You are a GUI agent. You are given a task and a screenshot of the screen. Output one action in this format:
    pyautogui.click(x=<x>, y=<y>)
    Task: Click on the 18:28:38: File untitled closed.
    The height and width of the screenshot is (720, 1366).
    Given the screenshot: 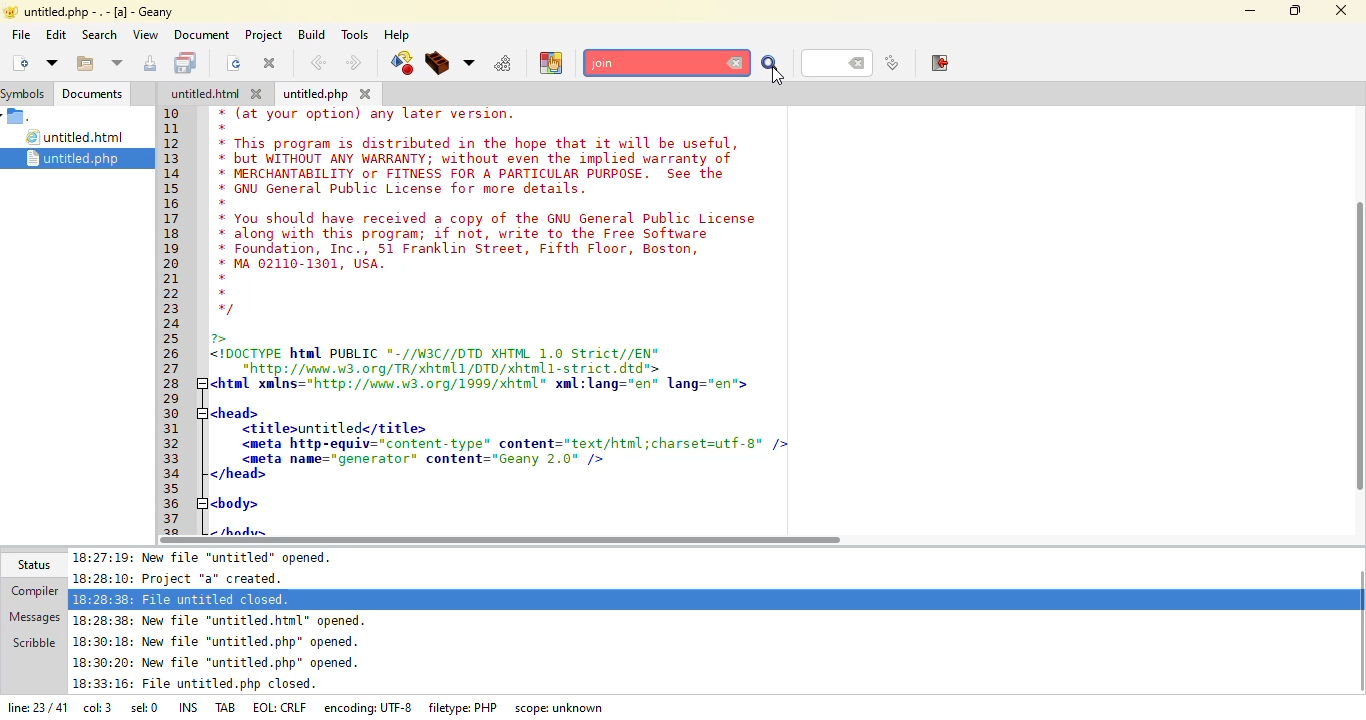 What is the action you would take?
    pyautogui.click(x=183, y=598)
    